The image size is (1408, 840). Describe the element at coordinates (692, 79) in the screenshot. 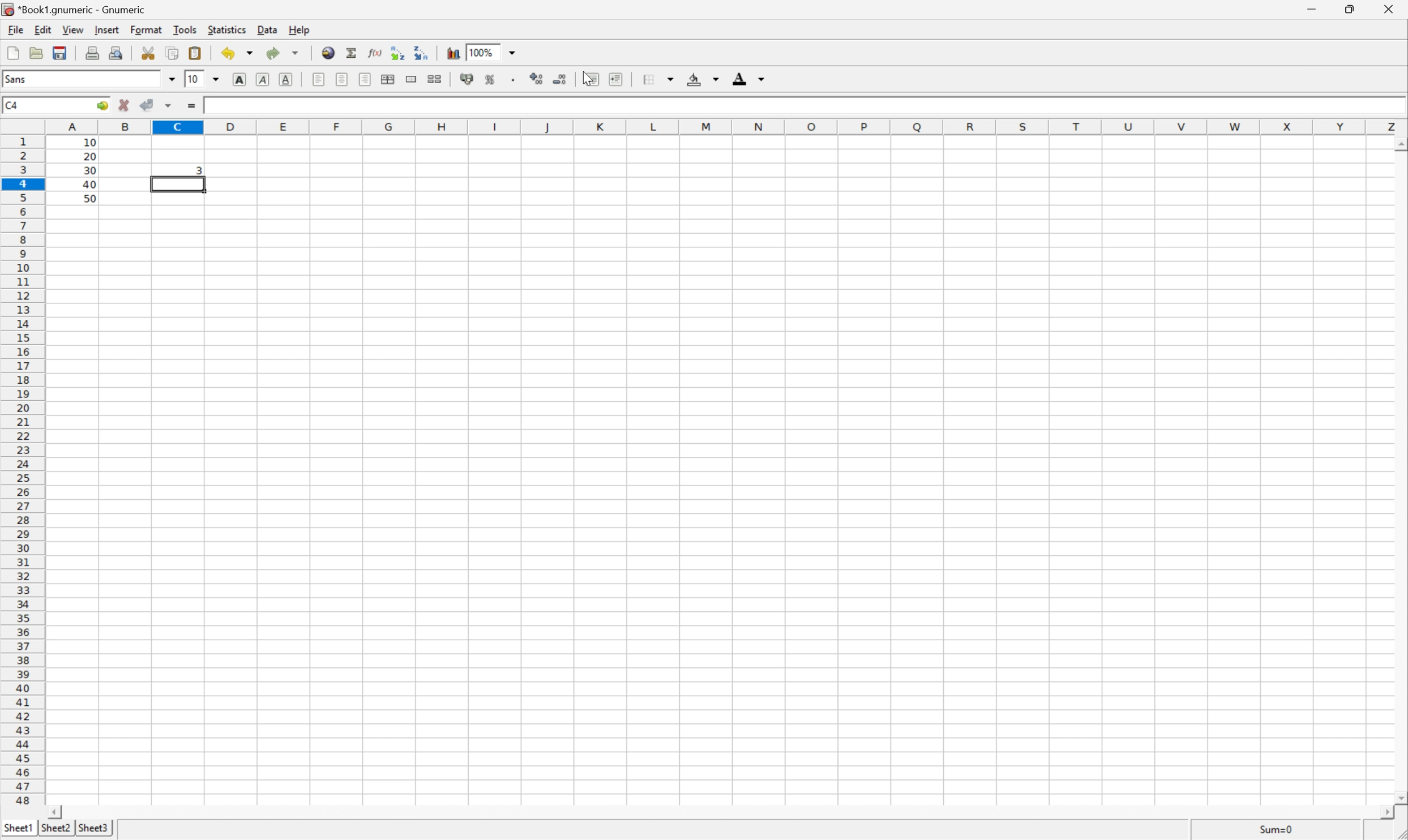

I see `Fill color` at that location.